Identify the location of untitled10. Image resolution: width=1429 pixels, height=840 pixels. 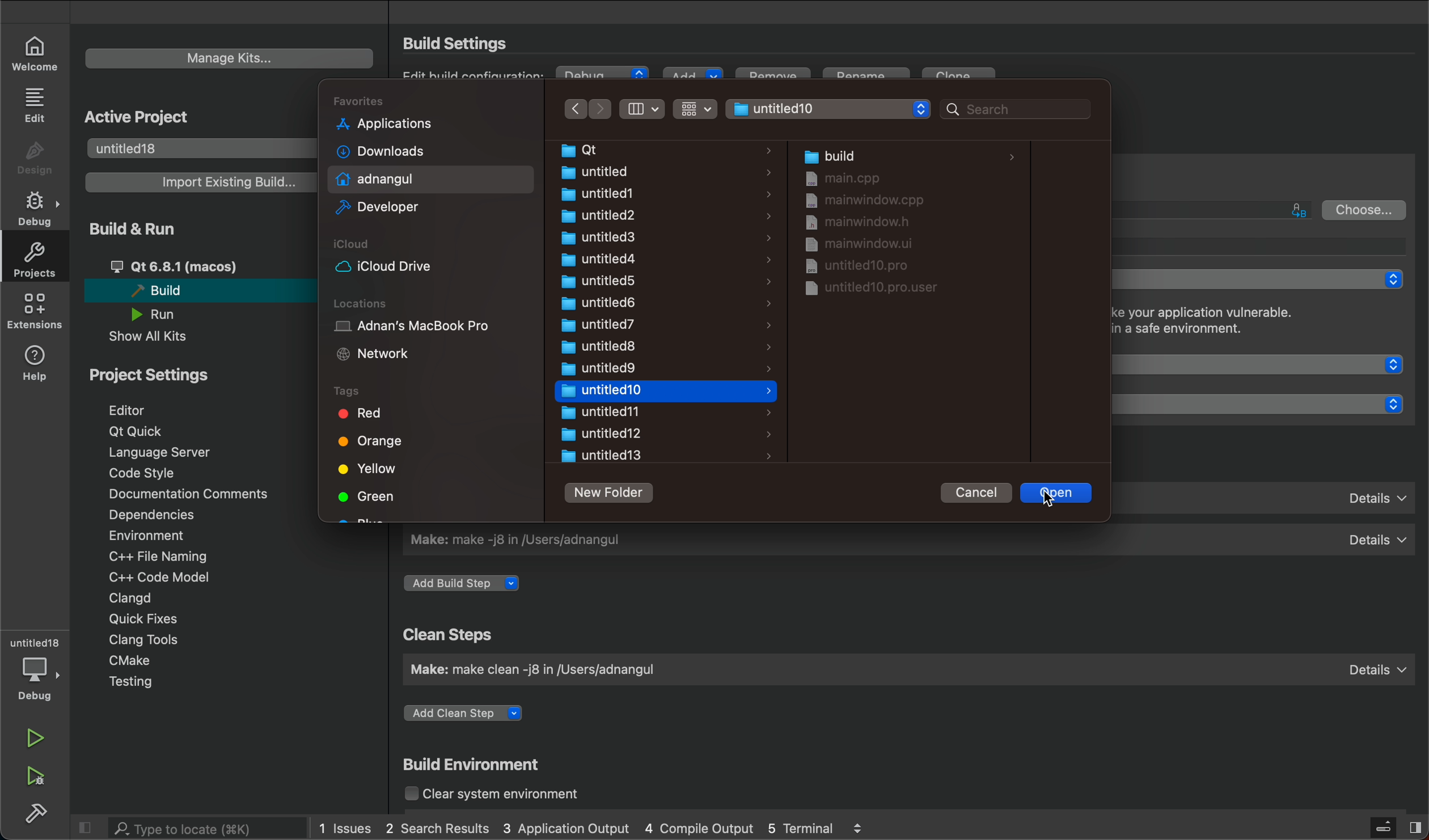
(663, 389).